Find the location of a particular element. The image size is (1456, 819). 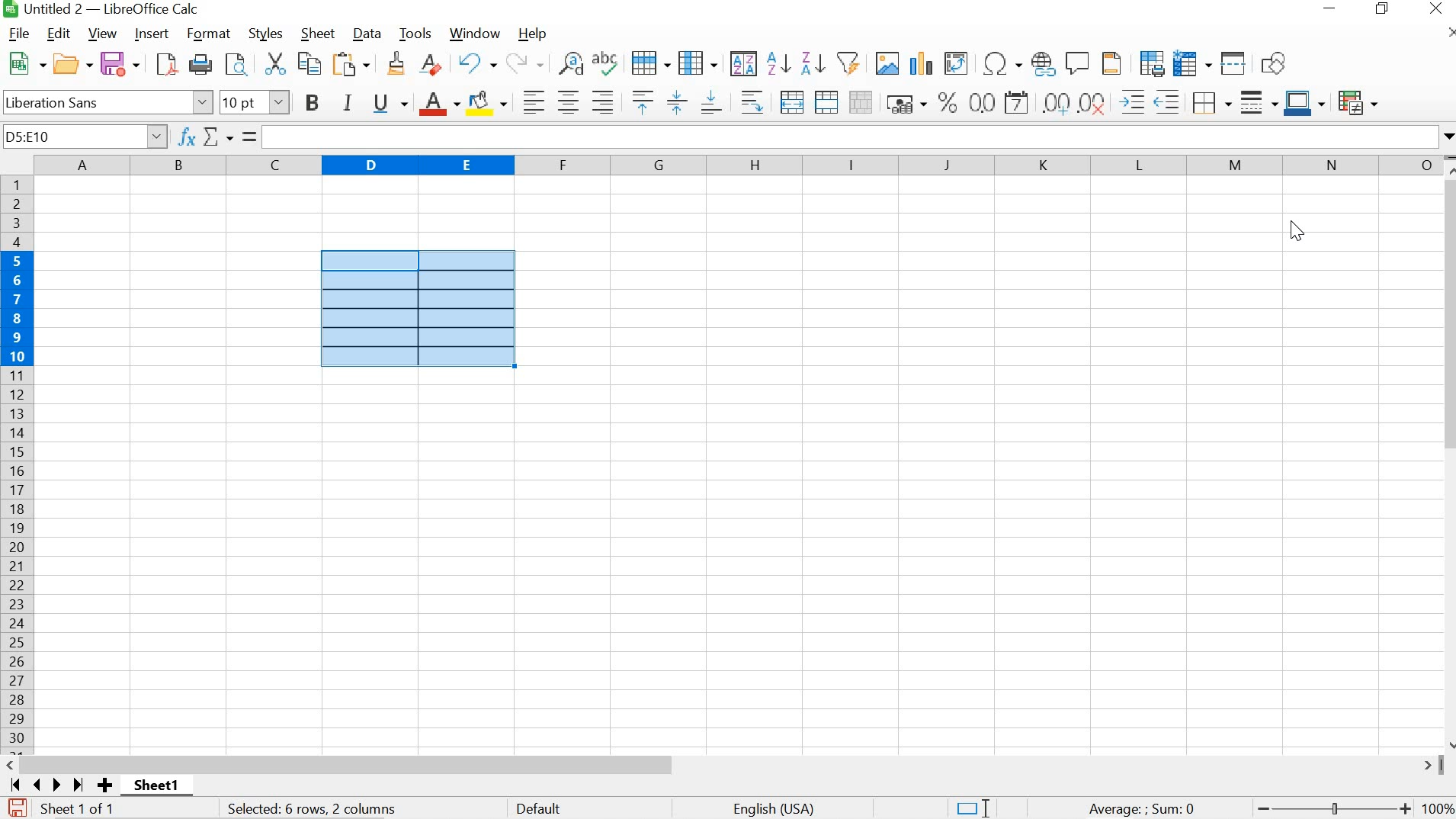

insert or edit pivot table is located at coordinates (957, 62).